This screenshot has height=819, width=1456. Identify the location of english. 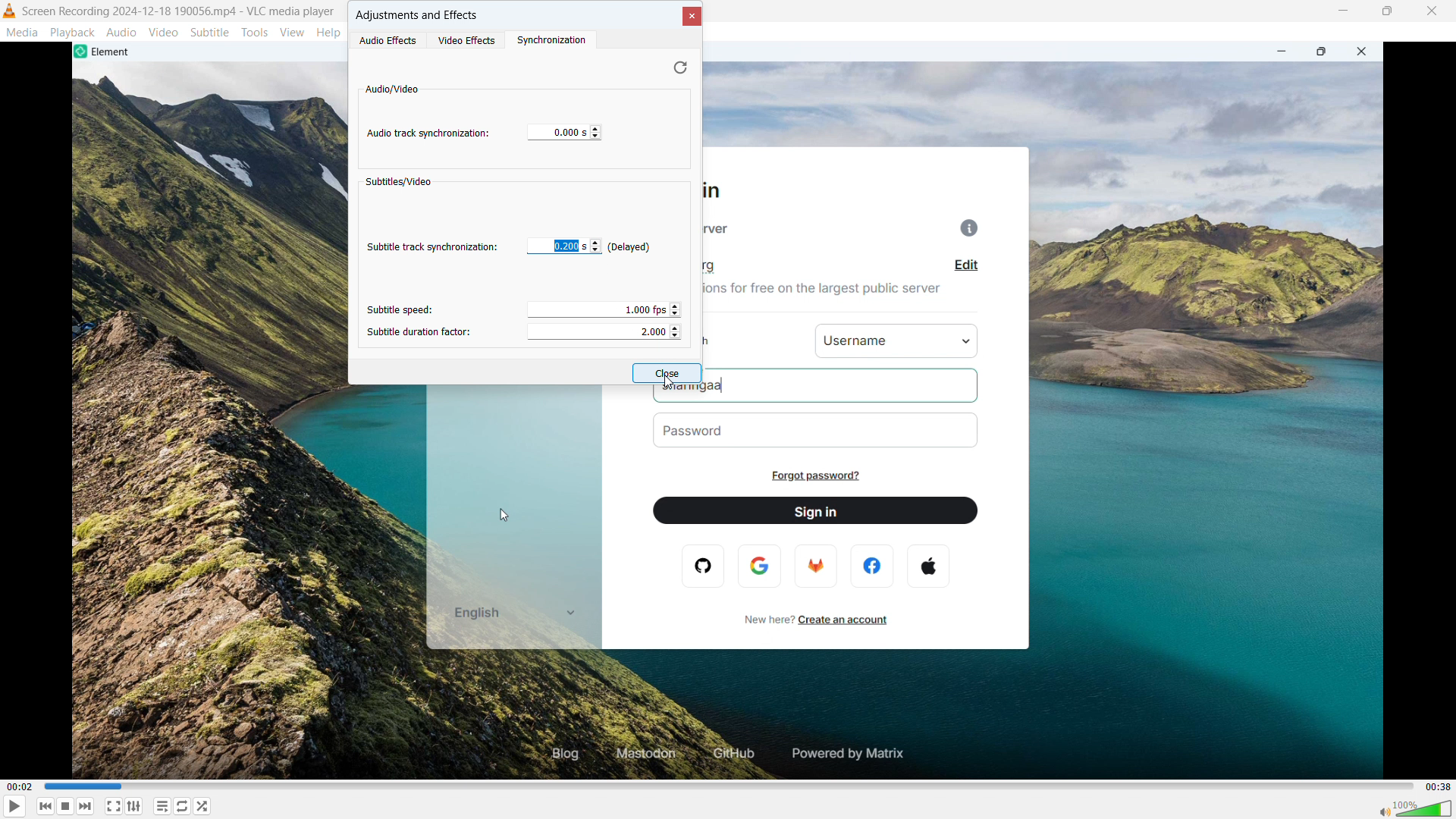
(504, 615).